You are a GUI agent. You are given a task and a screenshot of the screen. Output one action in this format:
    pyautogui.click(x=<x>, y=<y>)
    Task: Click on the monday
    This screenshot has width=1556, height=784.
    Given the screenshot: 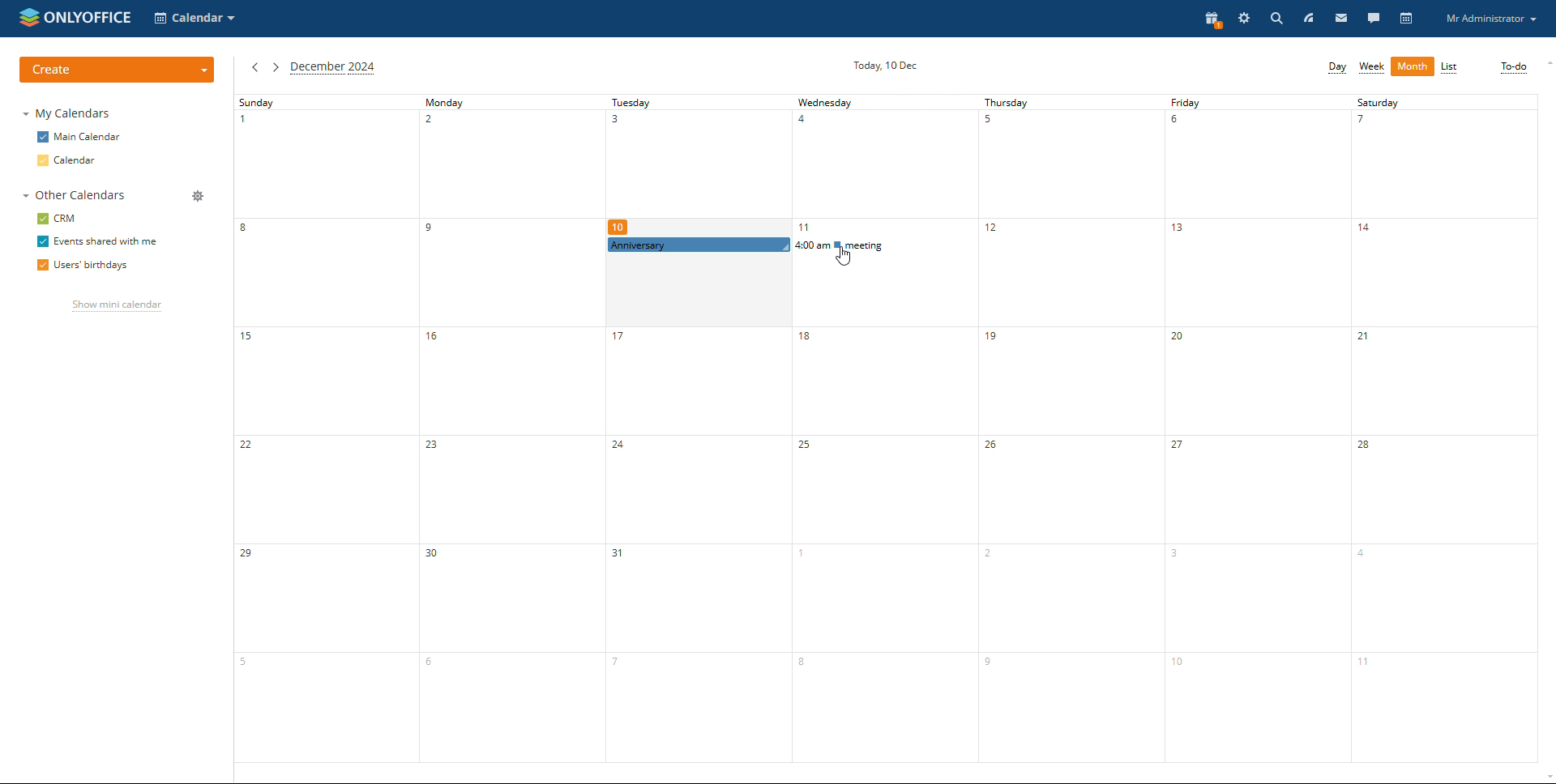 What is the action you would take?
    pyautogui.click(x=511, y=428)
    